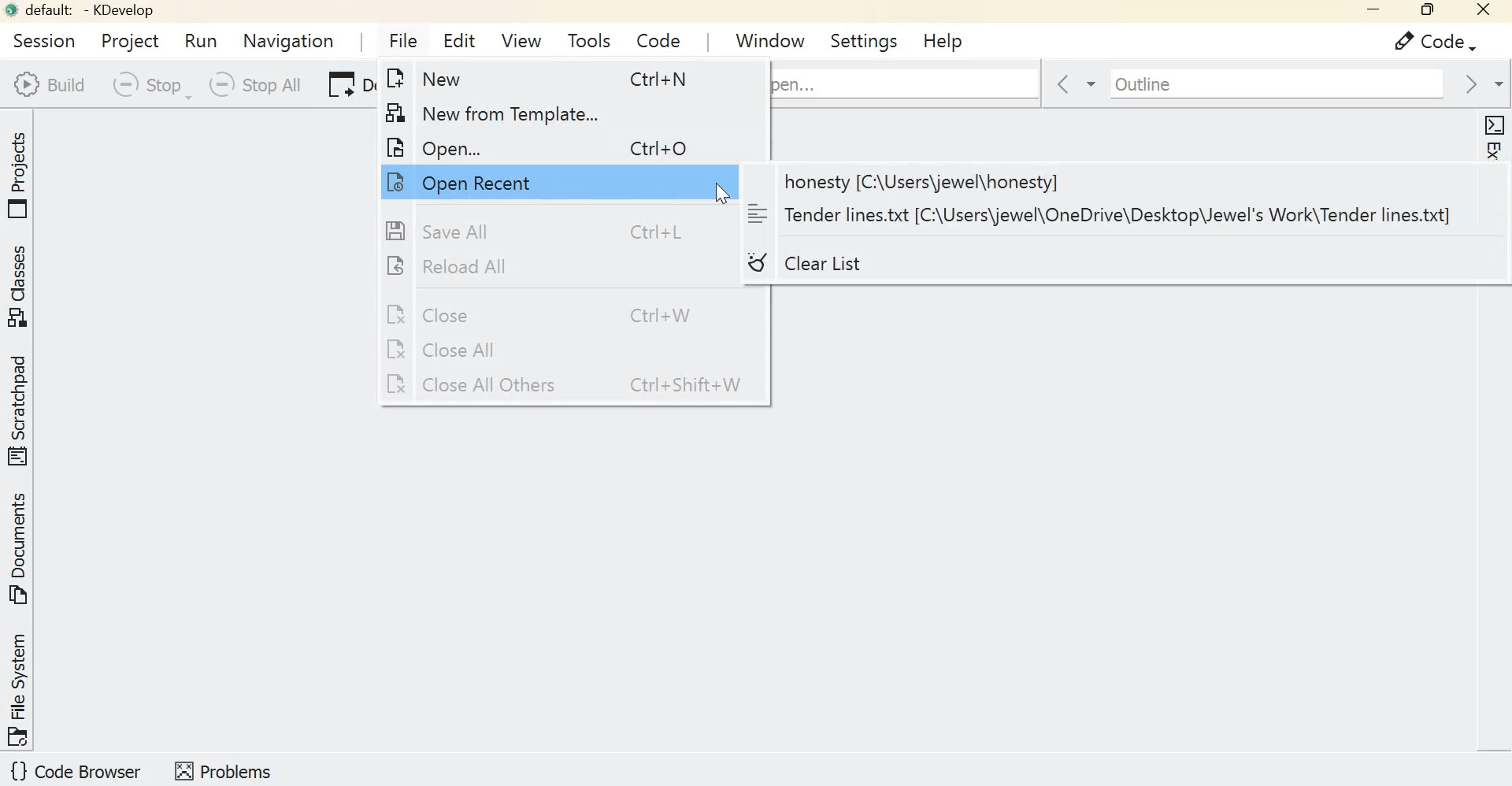 This screenshot has width=1512, height=786. I want to click on Code, so click(654, 37).